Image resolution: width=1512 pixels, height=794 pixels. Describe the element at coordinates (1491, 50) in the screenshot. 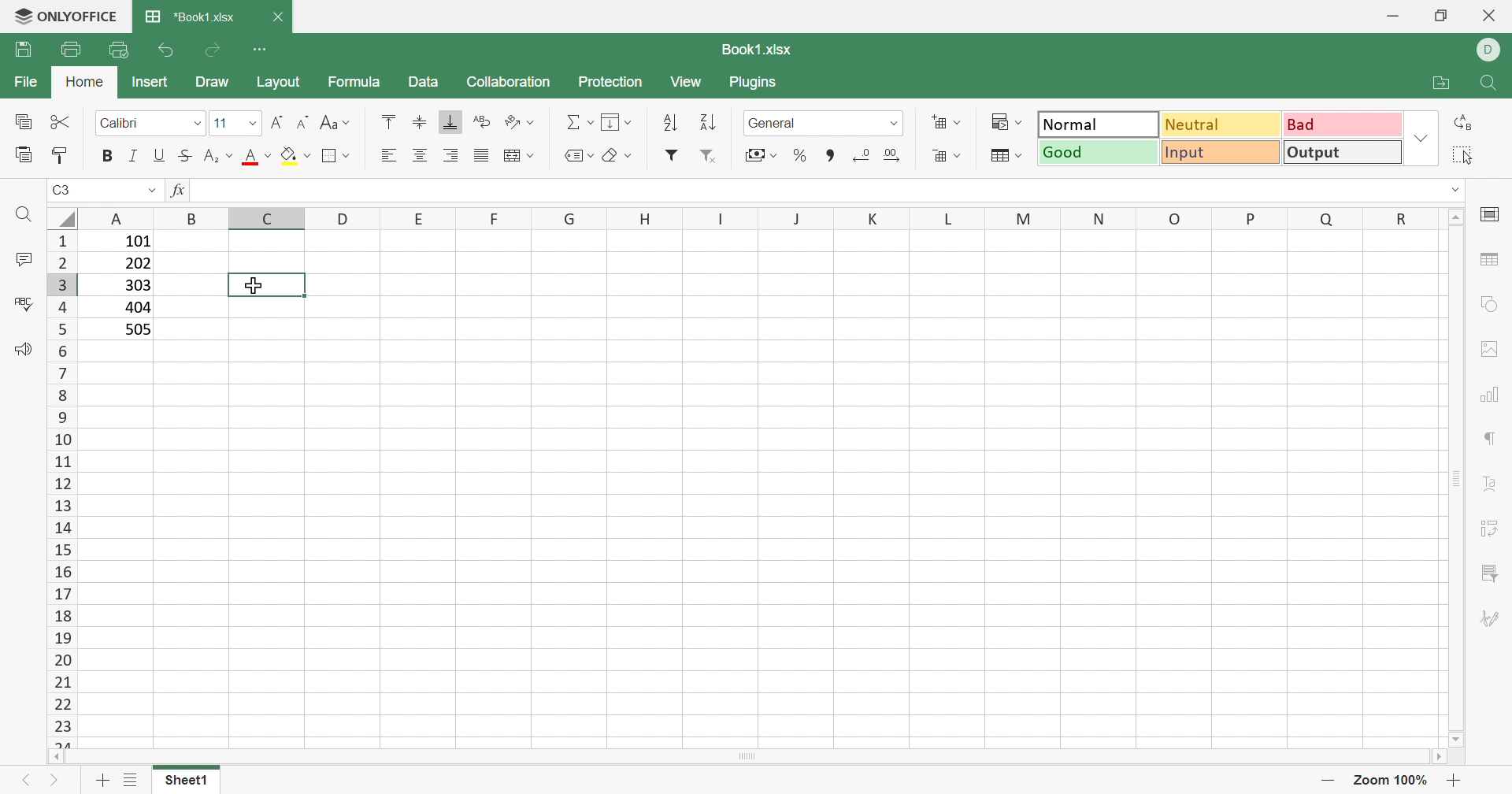

I see `DELL` at that location.